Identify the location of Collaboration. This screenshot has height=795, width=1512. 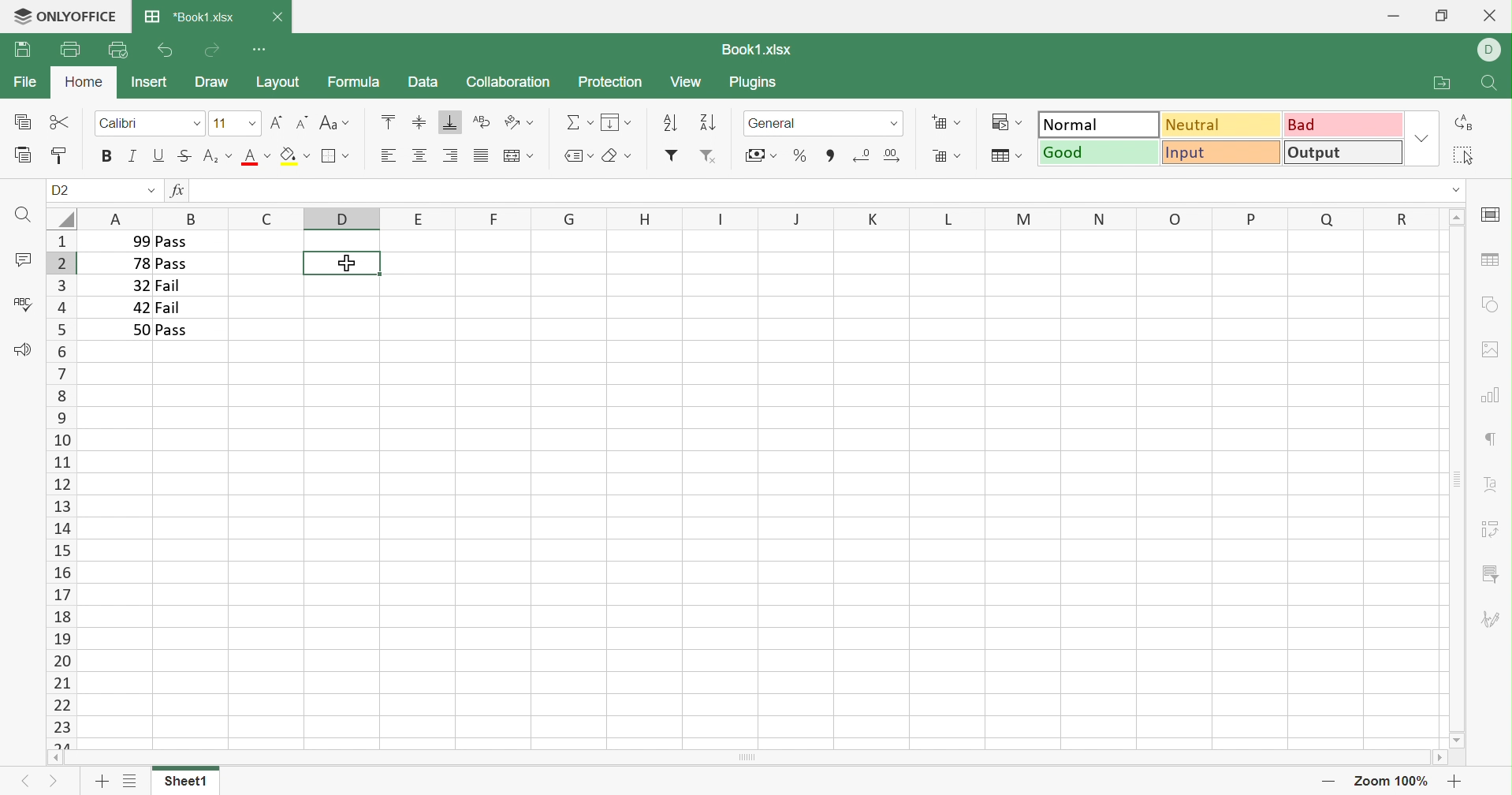
(507, 84).